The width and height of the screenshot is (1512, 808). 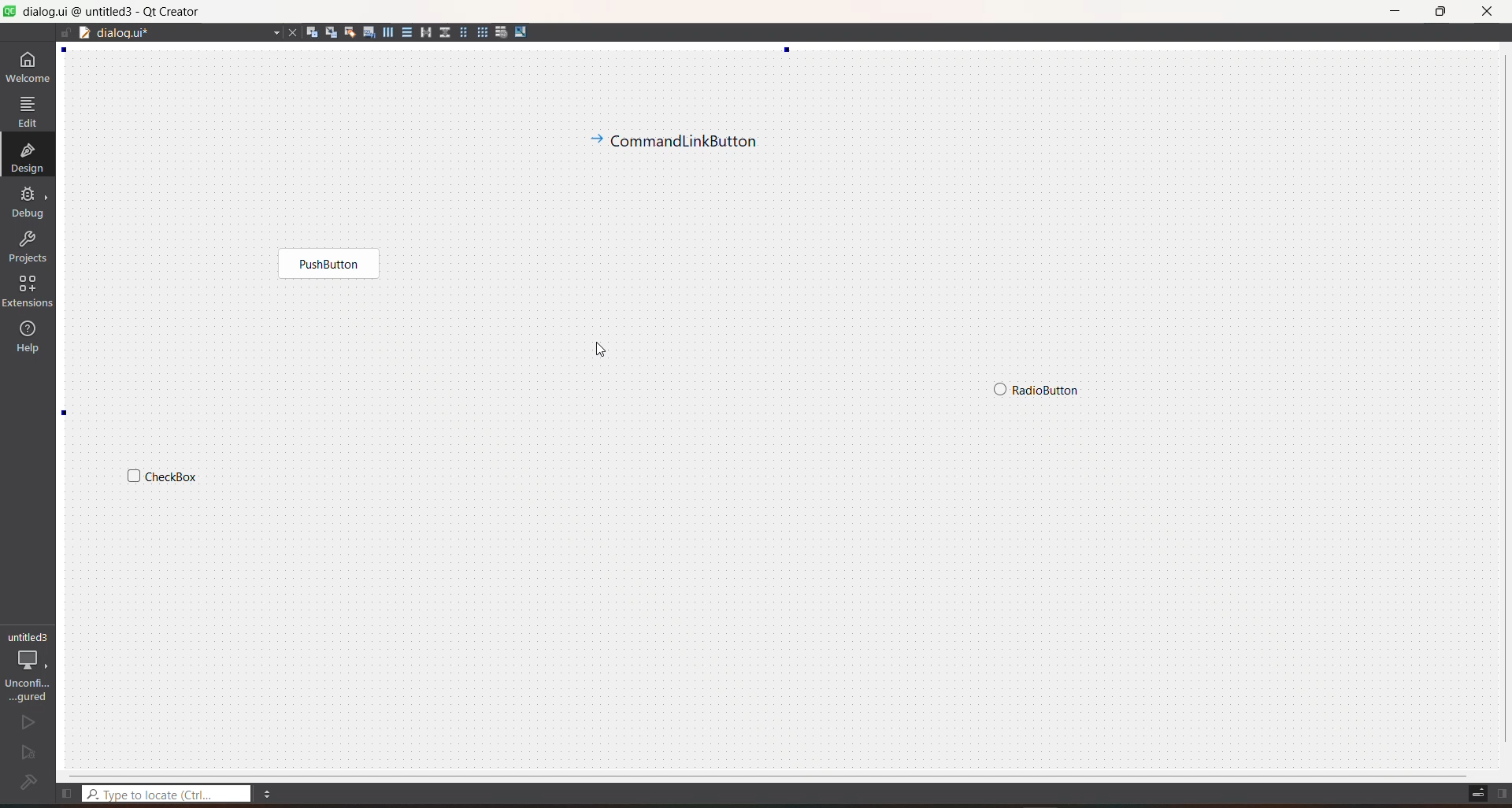 I want to click on menu options, so click(x=269, y=795).